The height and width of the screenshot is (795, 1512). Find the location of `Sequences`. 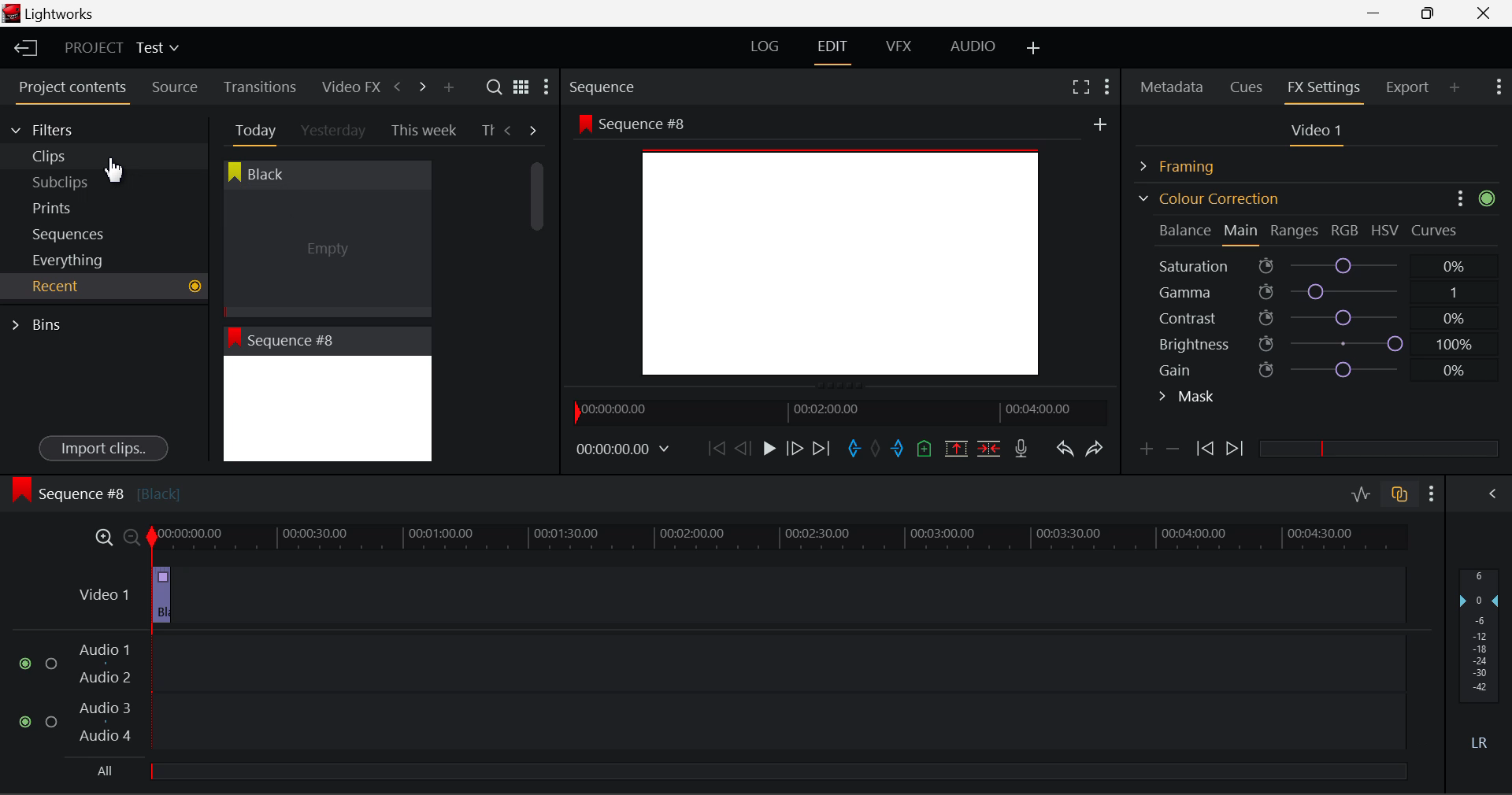

Sequences is located at coordinates (72, 232).